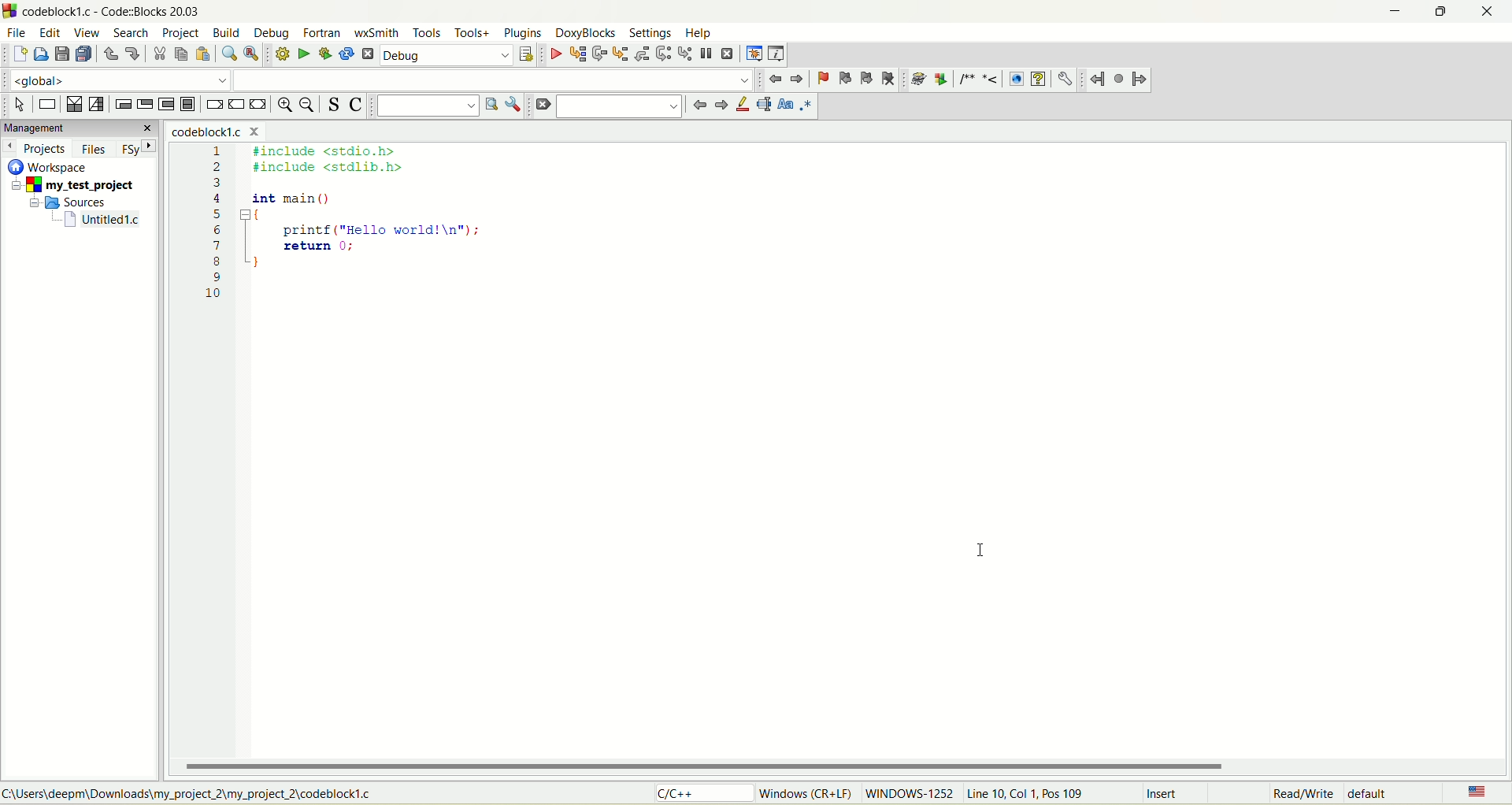 This screenshot has width=1512, height=805. Describe the element at coordinates (976, 80) in the screenshot. I see `comment` at that location.